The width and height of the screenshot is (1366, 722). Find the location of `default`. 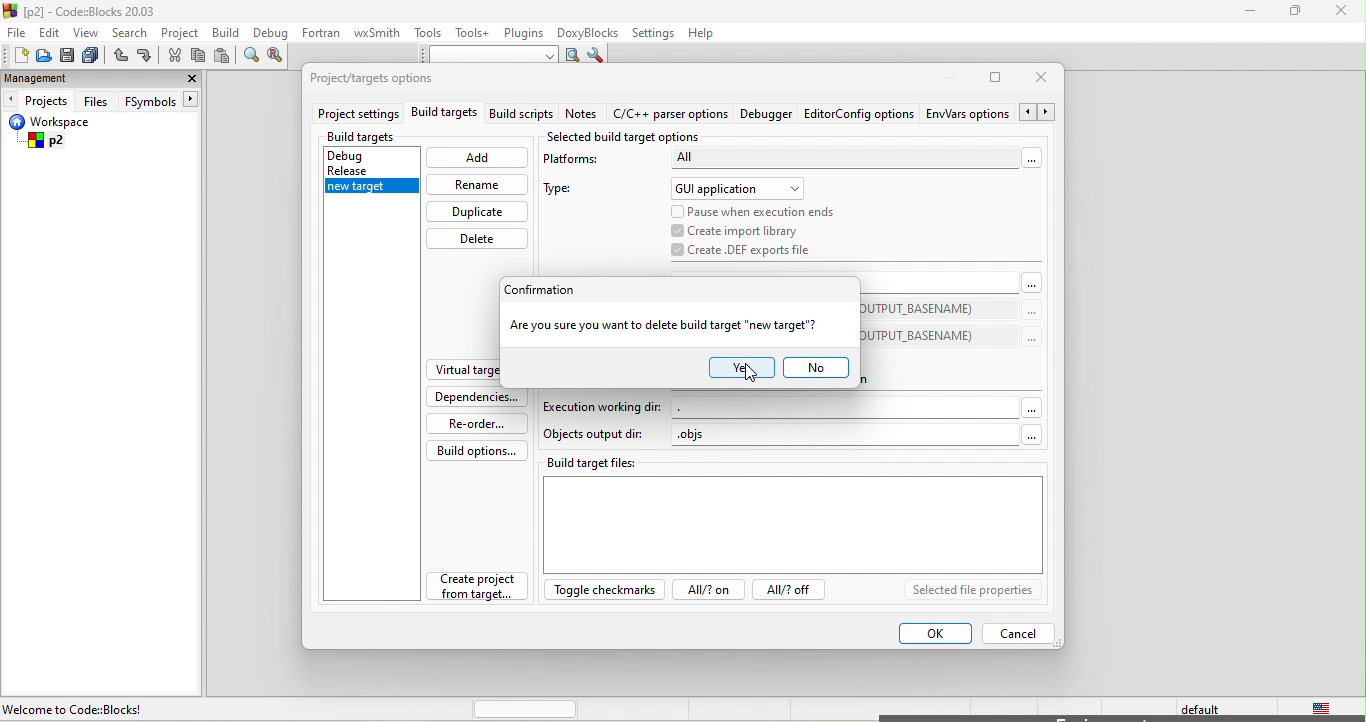

default is located at coordinates (1194, 709).